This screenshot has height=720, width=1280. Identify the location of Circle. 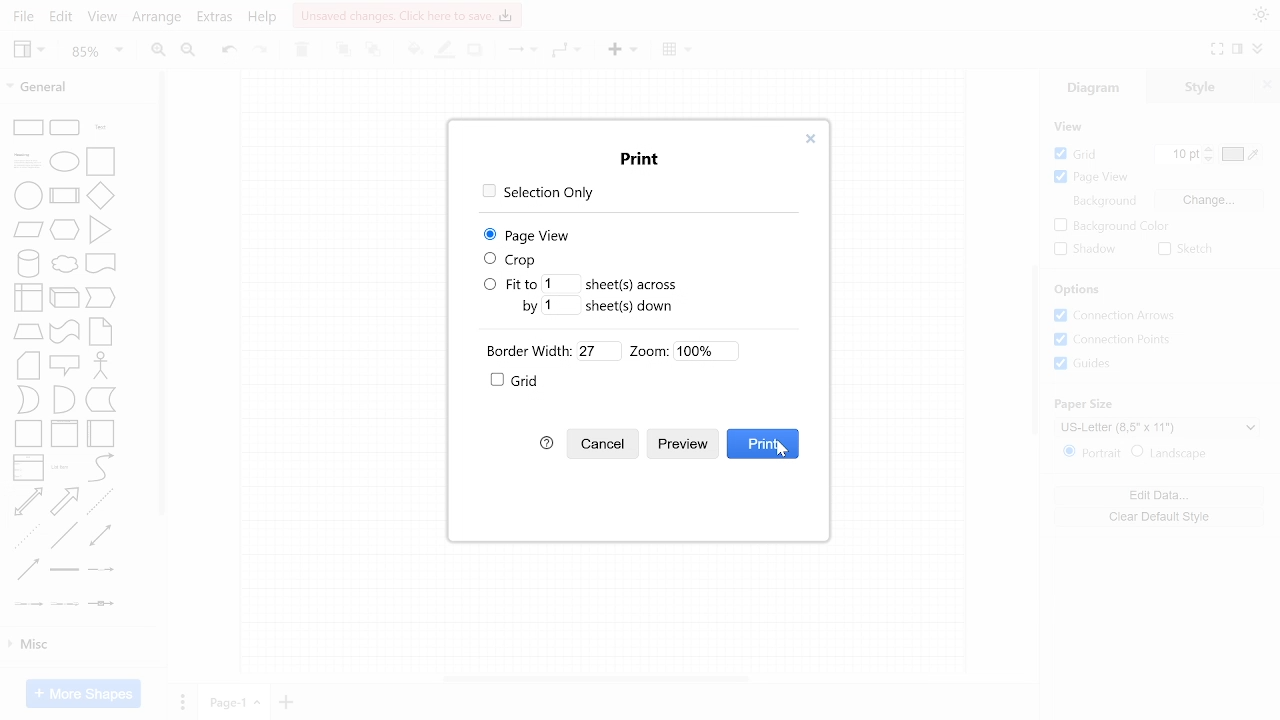
(28, 195).